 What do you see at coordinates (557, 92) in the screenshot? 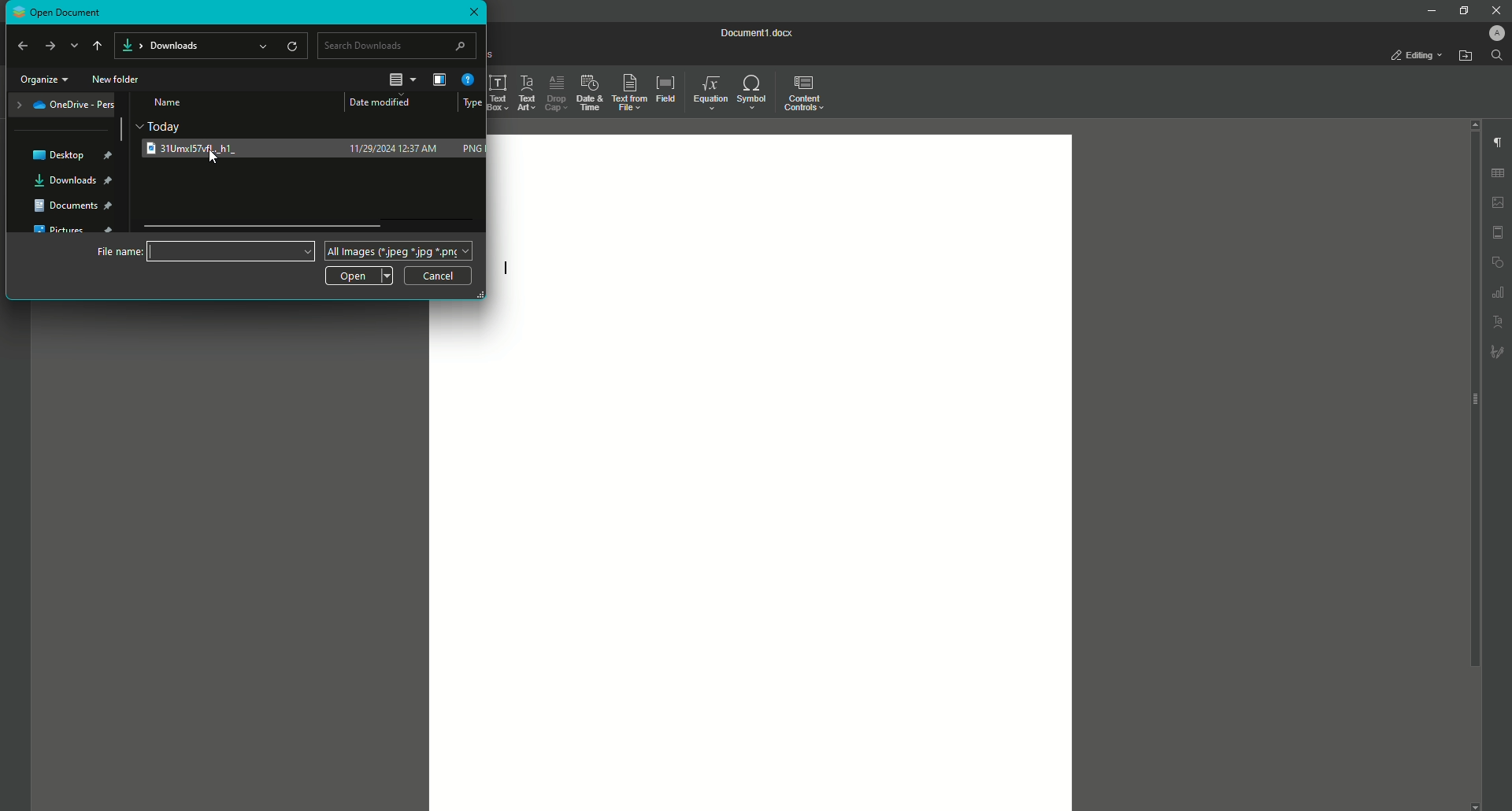
I see `Drop Cap` at bounding box center [557, 92].